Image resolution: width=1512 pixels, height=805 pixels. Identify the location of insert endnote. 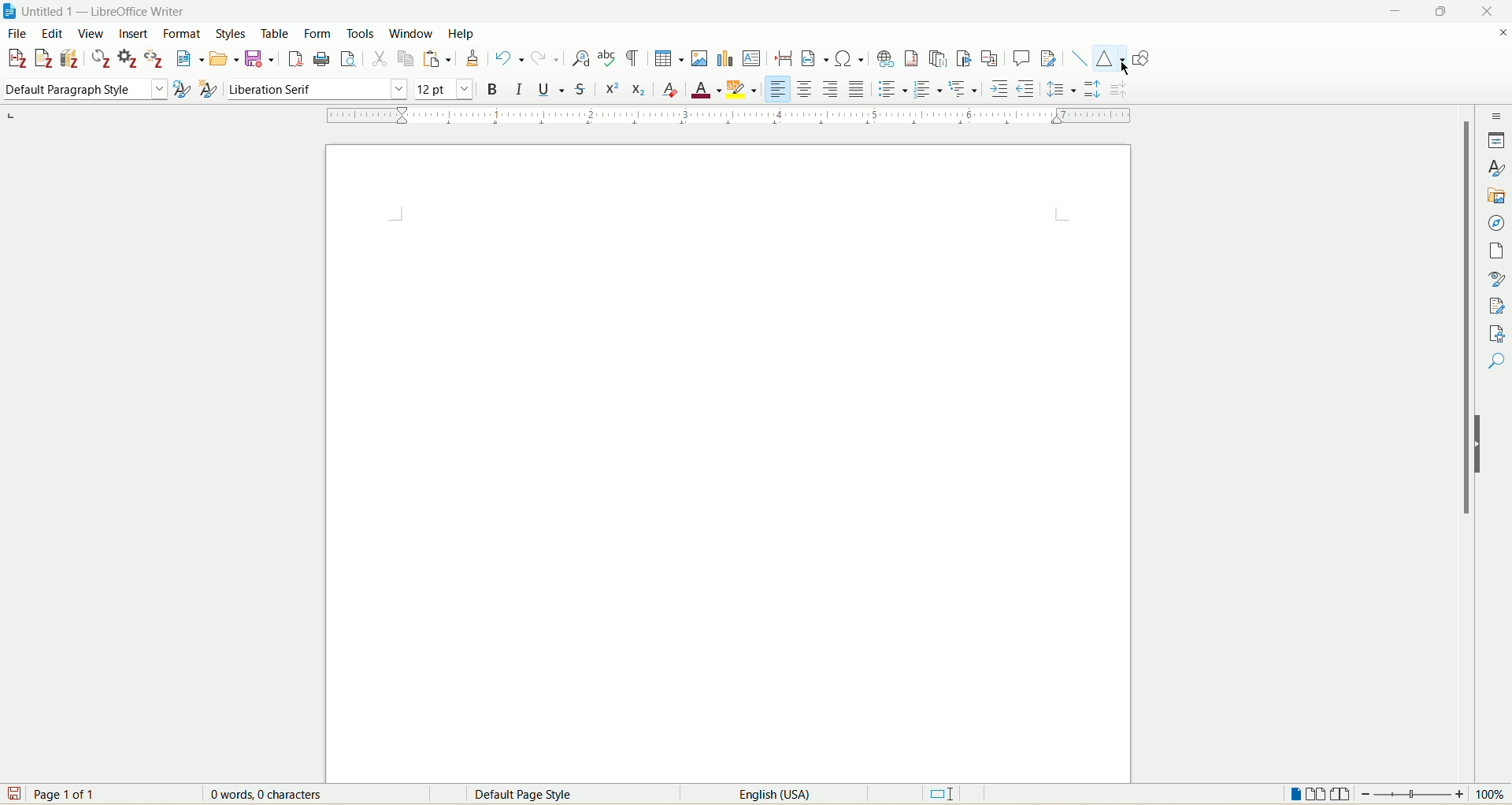
(941, 58).